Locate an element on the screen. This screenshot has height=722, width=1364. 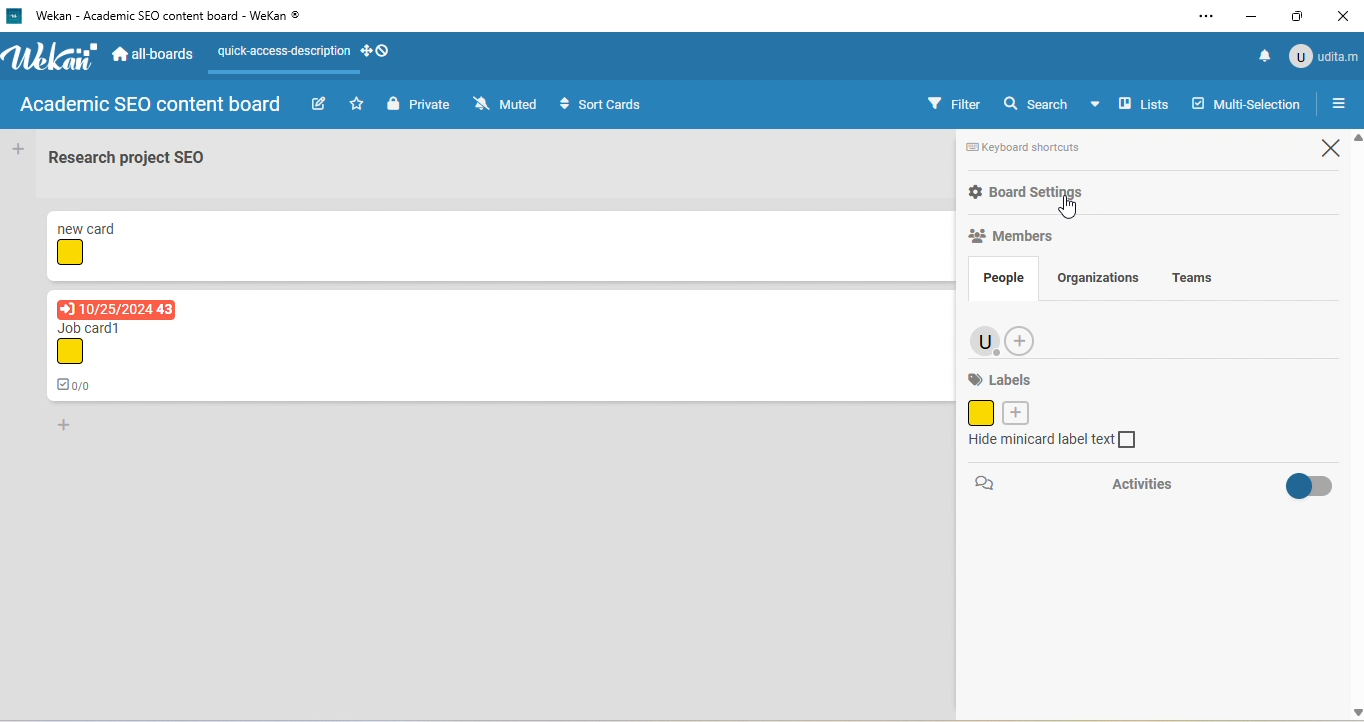
udita m is located at coordinates (1326, 58).